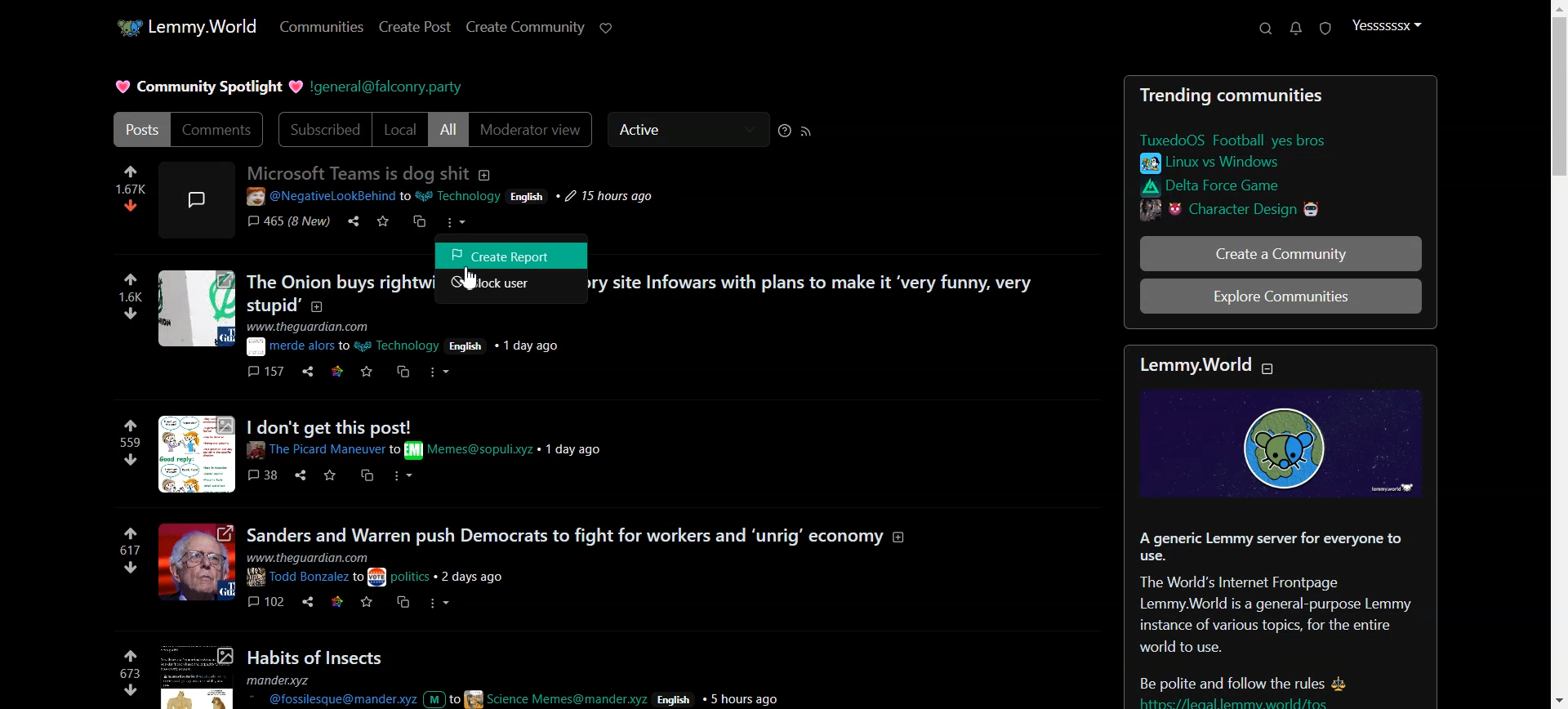 The height and width of the screenshot is (709, 1568). I want to click on link, so click(1236, 163).